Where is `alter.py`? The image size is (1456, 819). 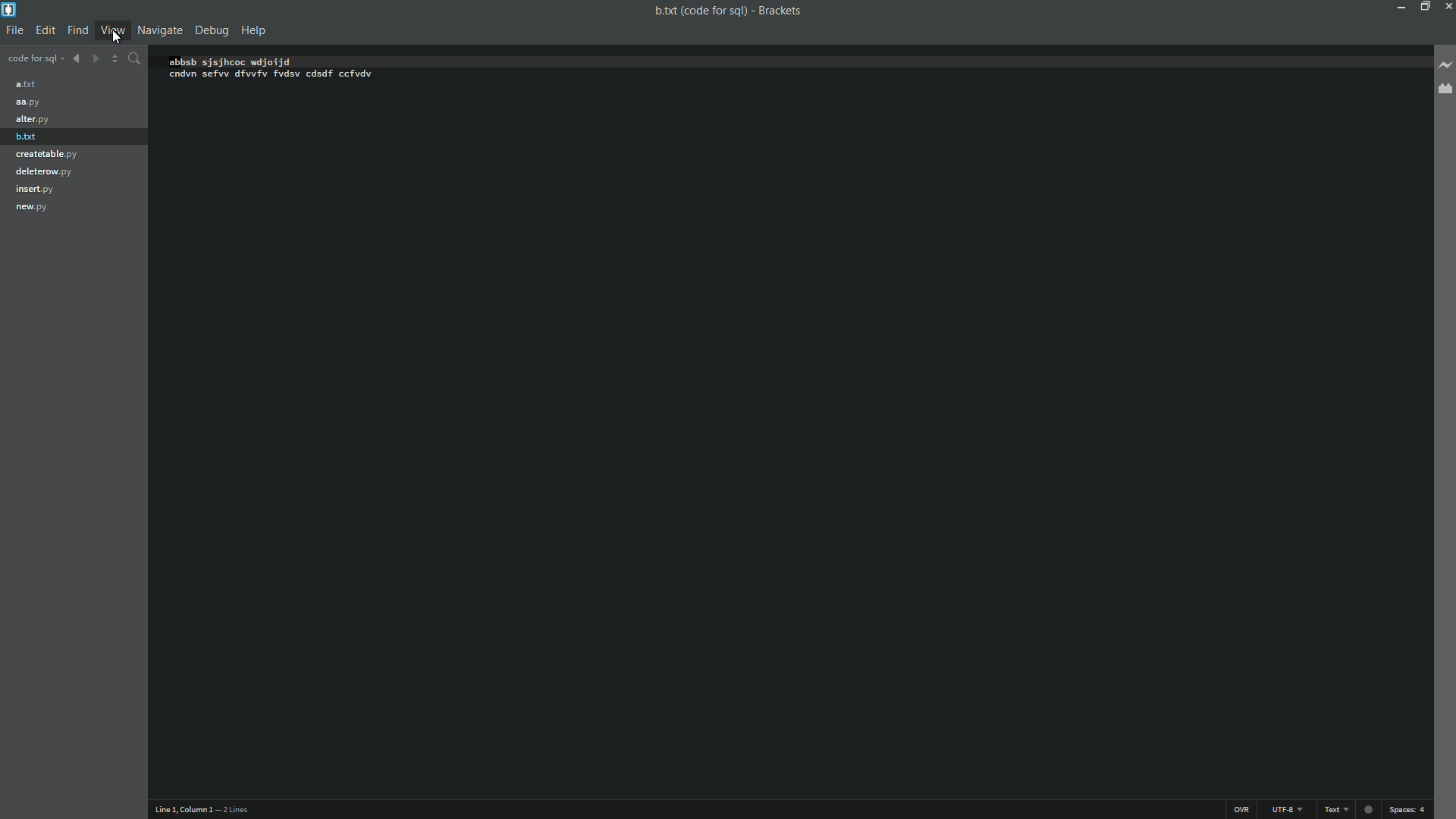 alter.py is located at coordinates (30, 120).